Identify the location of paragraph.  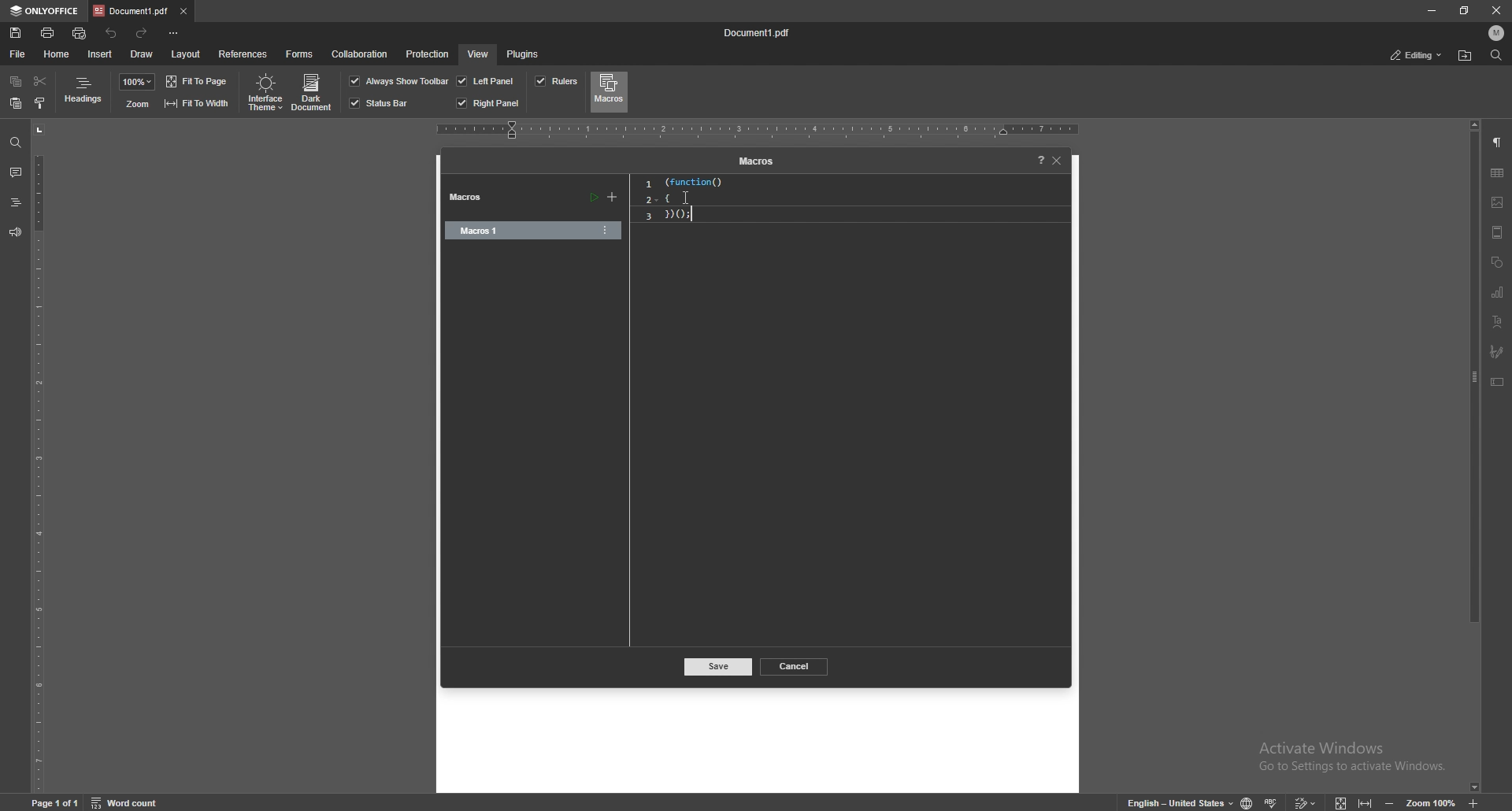
(1498, 143).